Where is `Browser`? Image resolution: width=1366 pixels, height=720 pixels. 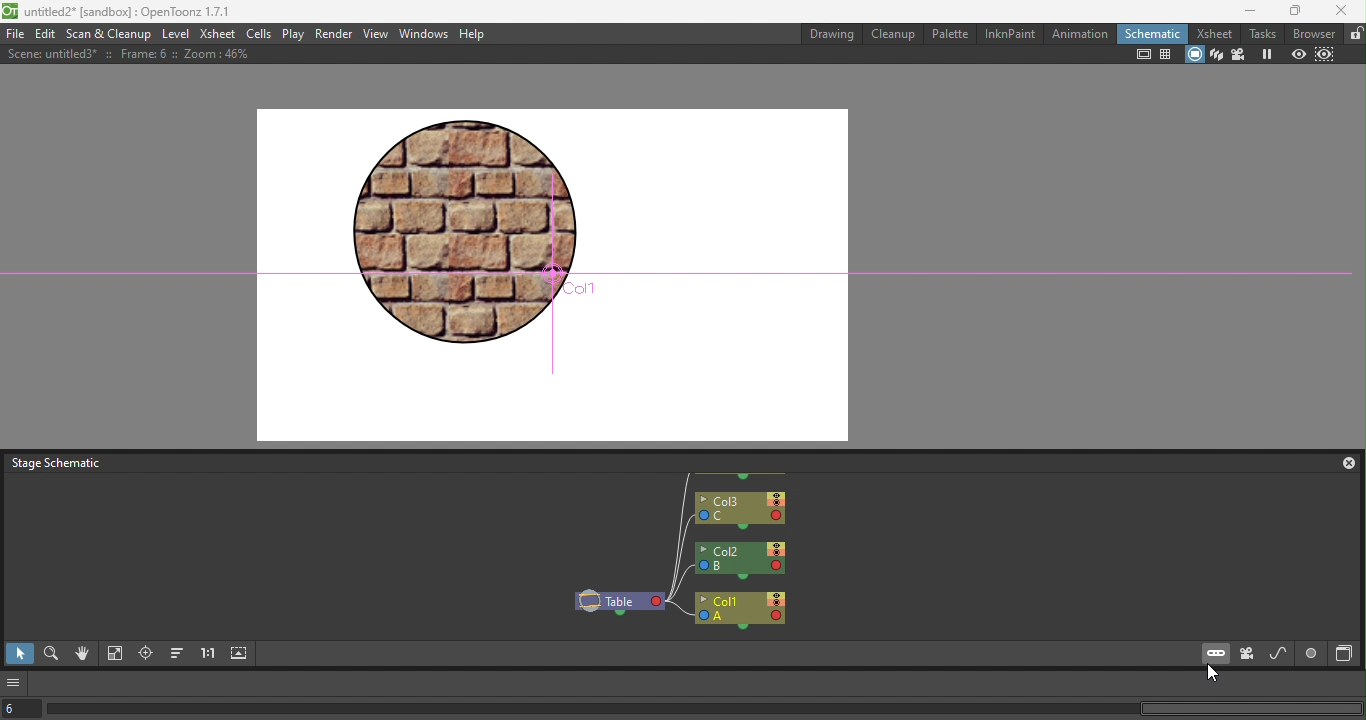 Browser is located at coordinates (1314, 34).